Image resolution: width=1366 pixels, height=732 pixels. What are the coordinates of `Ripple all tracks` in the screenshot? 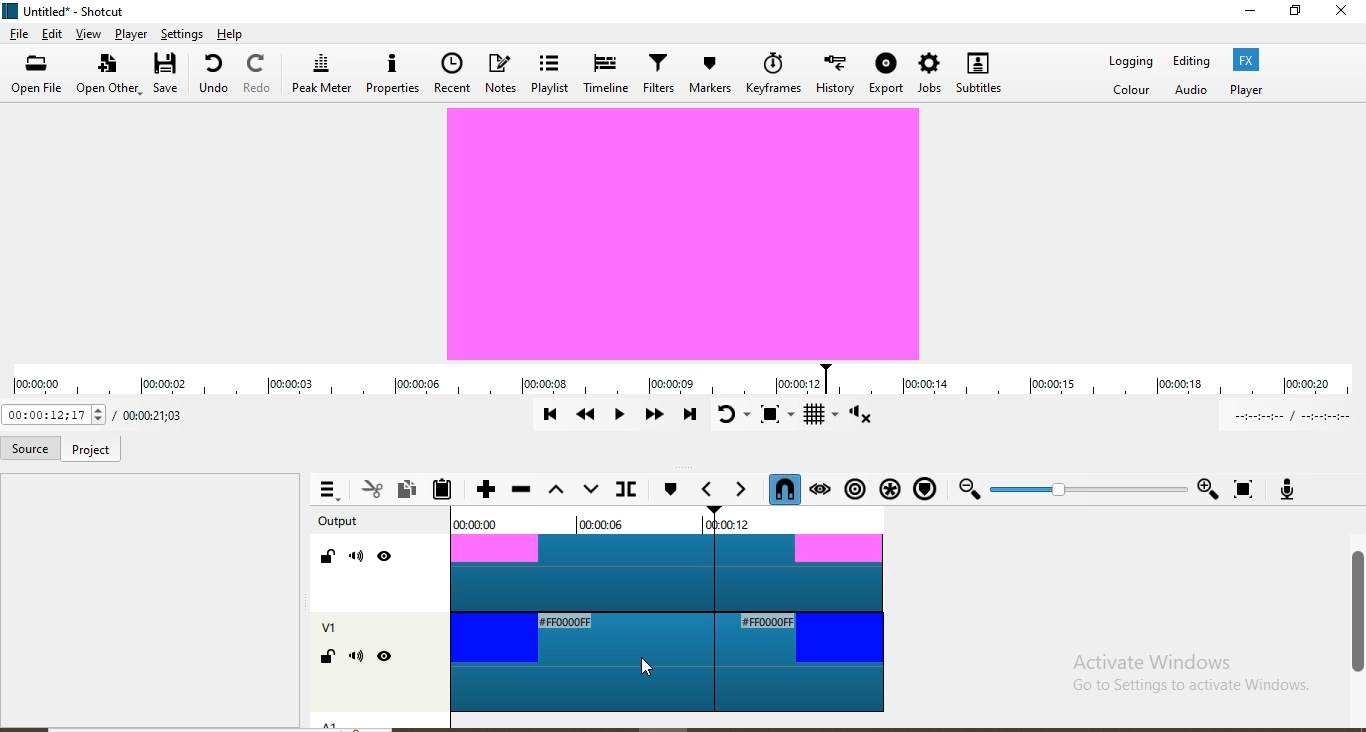 It's located at (888, 488).